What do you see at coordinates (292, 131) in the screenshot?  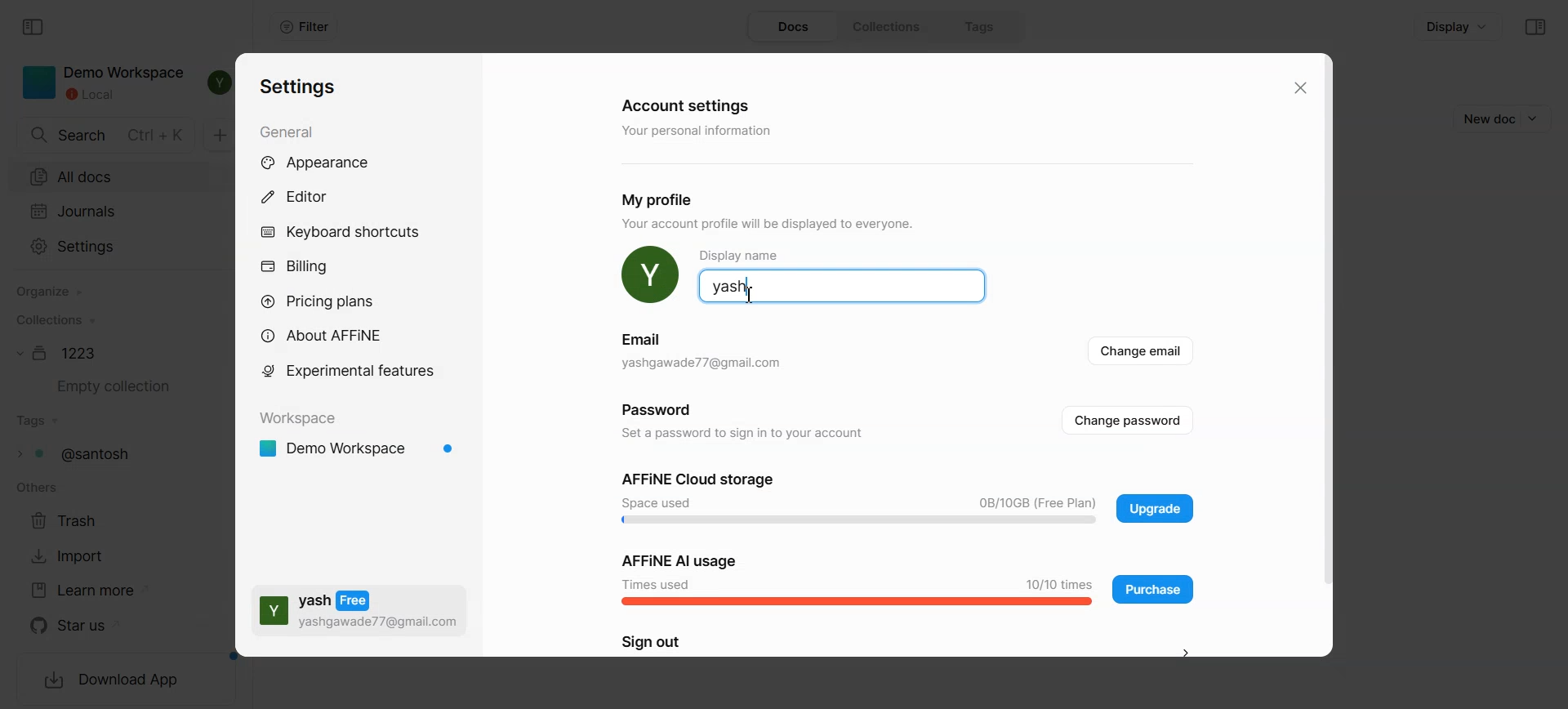 I see `General` at bounding box center [292, 131].